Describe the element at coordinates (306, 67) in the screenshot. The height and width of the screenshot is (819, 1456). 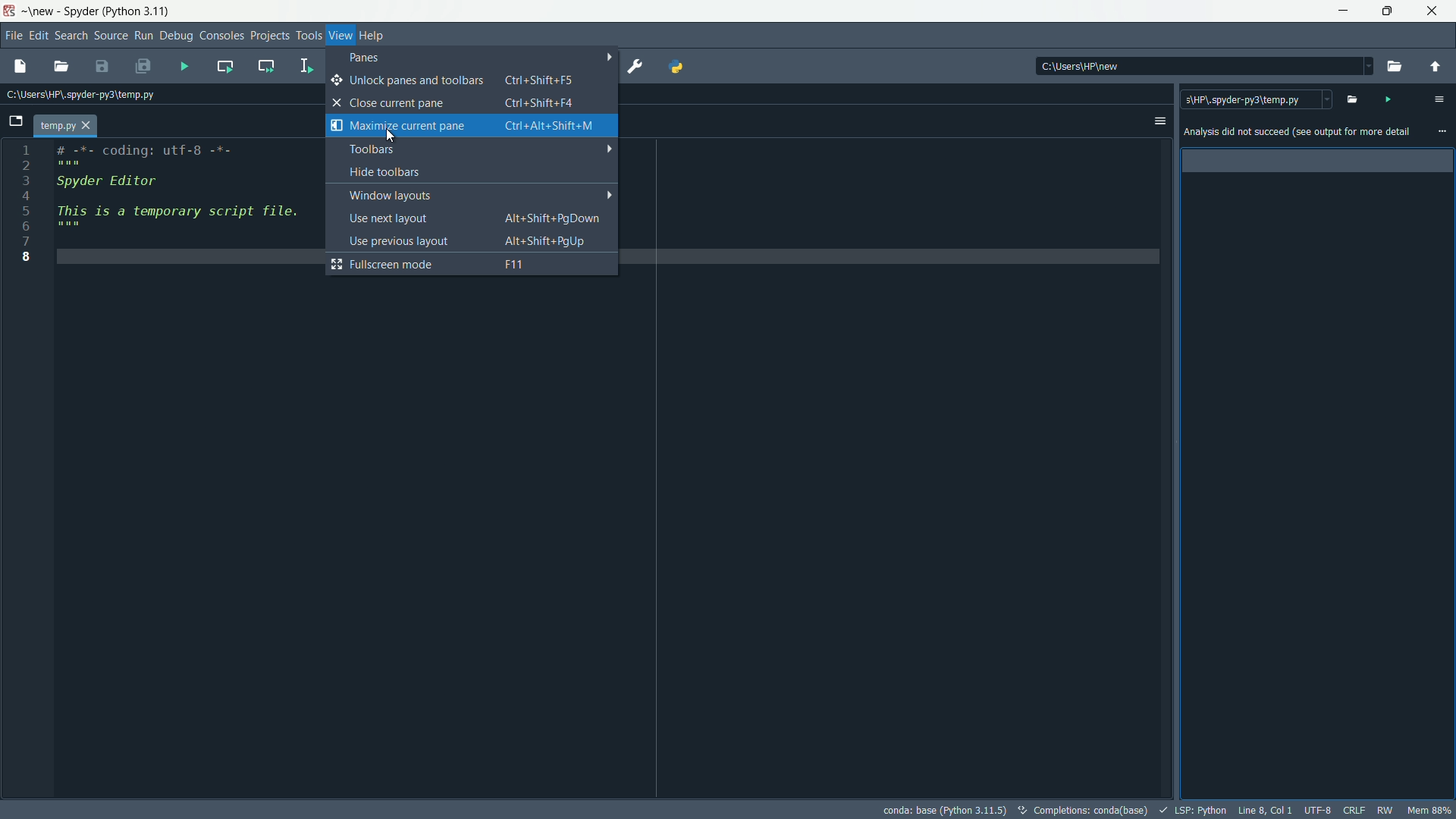
I see `run selection` at that location.